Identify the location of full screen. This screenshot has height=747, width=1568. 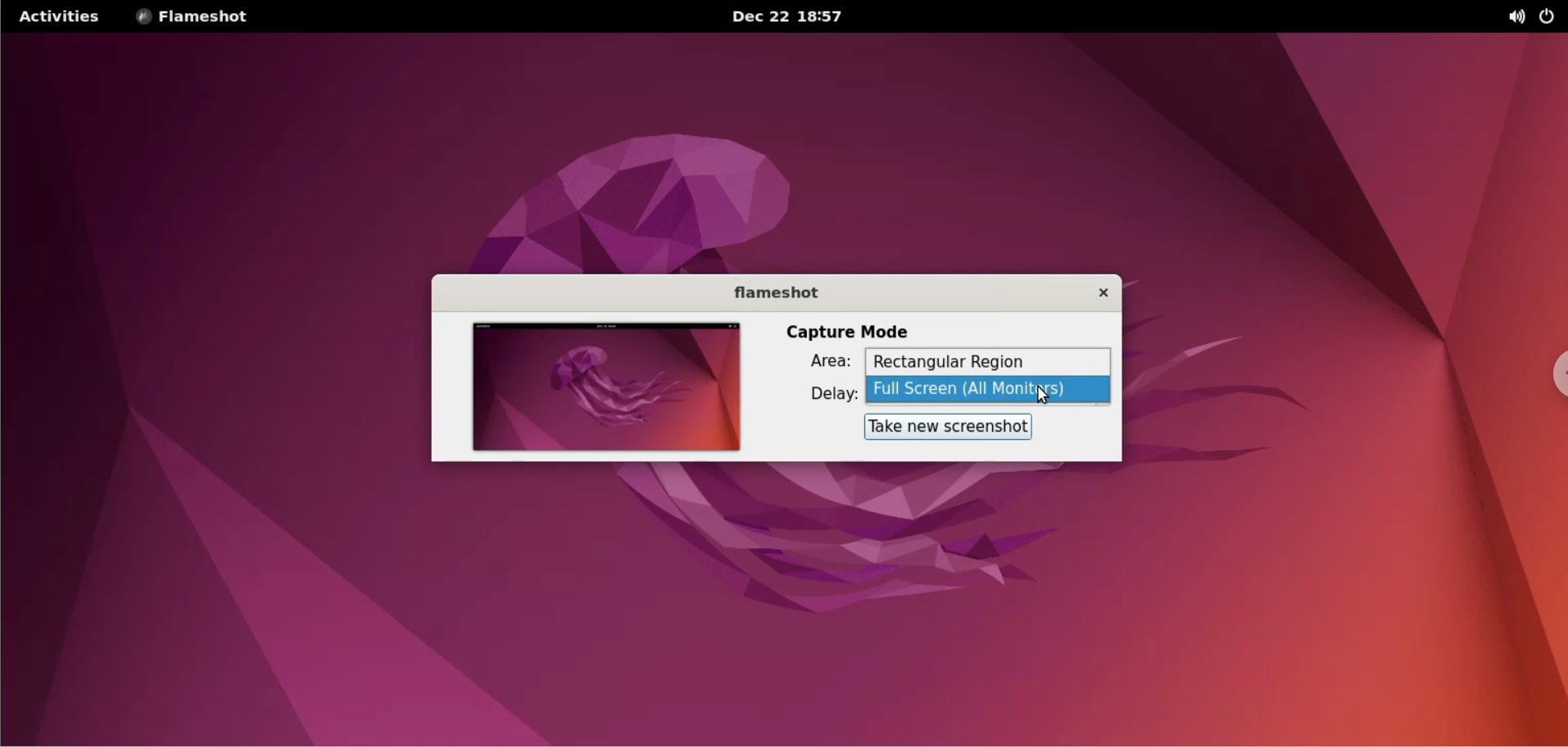
(991, 390).